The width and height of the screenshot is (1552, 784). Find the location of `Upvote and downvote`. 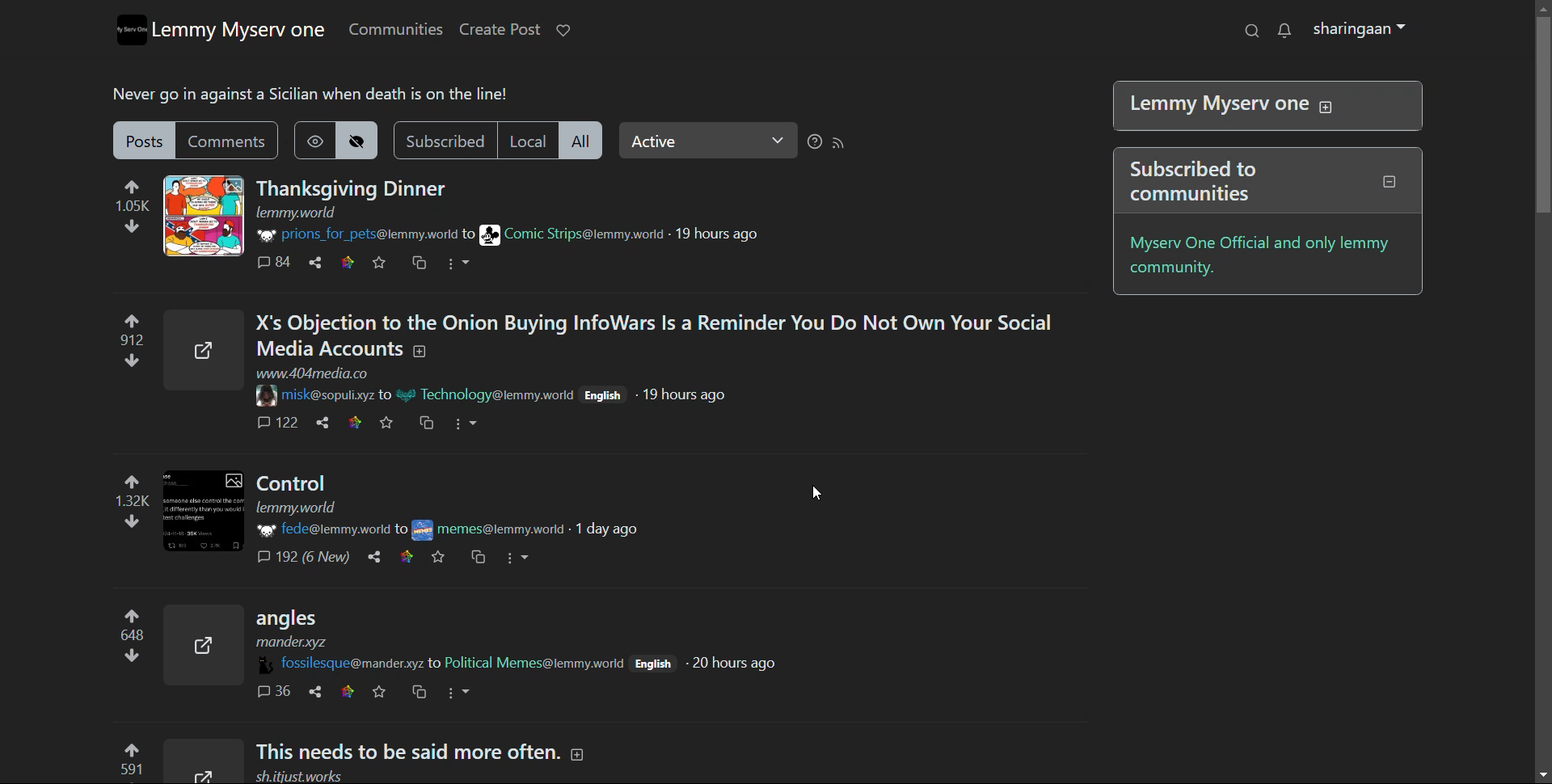

Upvote and downvote is located at coordinates (120, 344).